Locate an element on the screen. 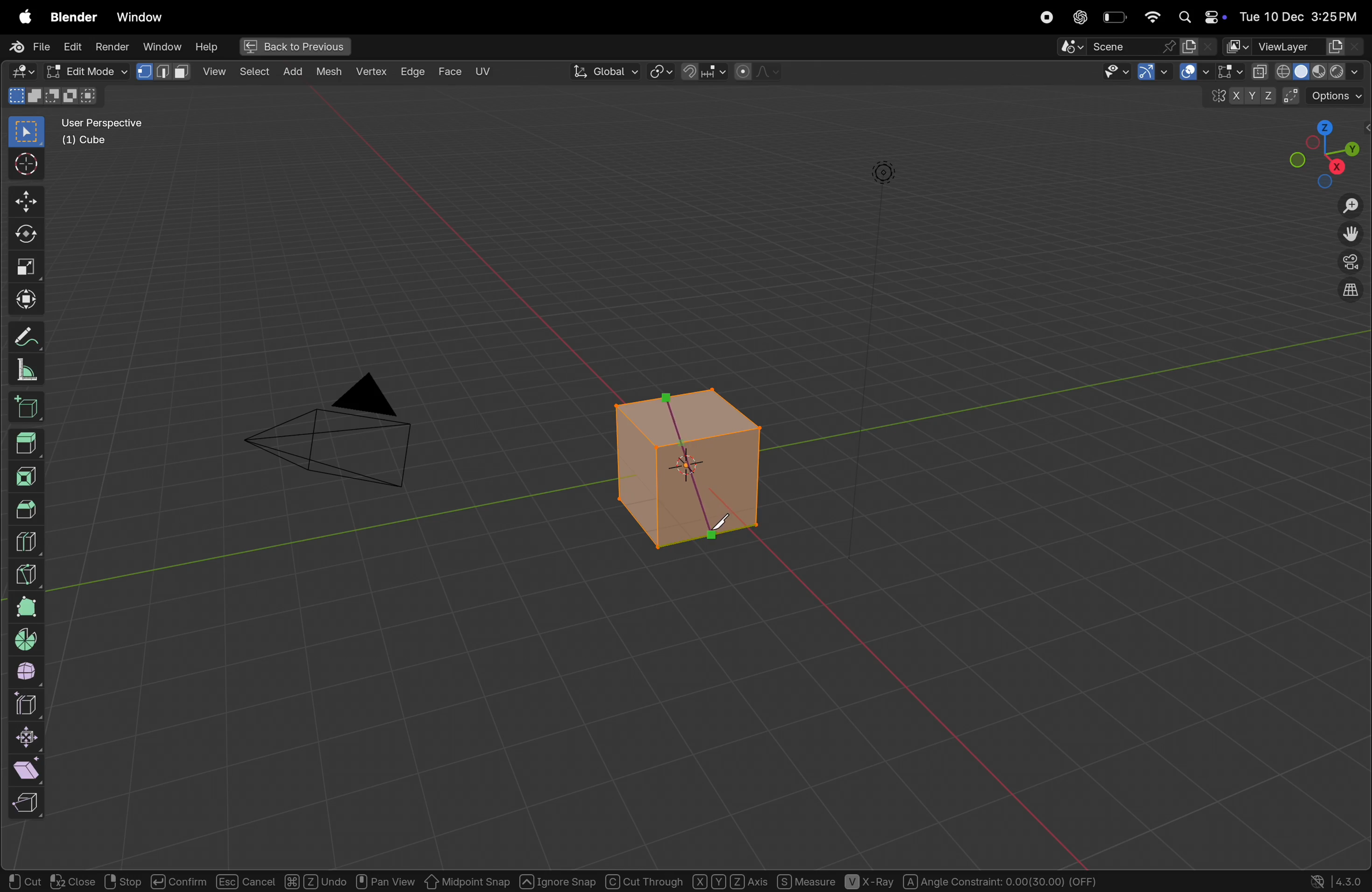 This screenshot has width=1372, height=892. proportional objects is located at coordinates (758, 72).